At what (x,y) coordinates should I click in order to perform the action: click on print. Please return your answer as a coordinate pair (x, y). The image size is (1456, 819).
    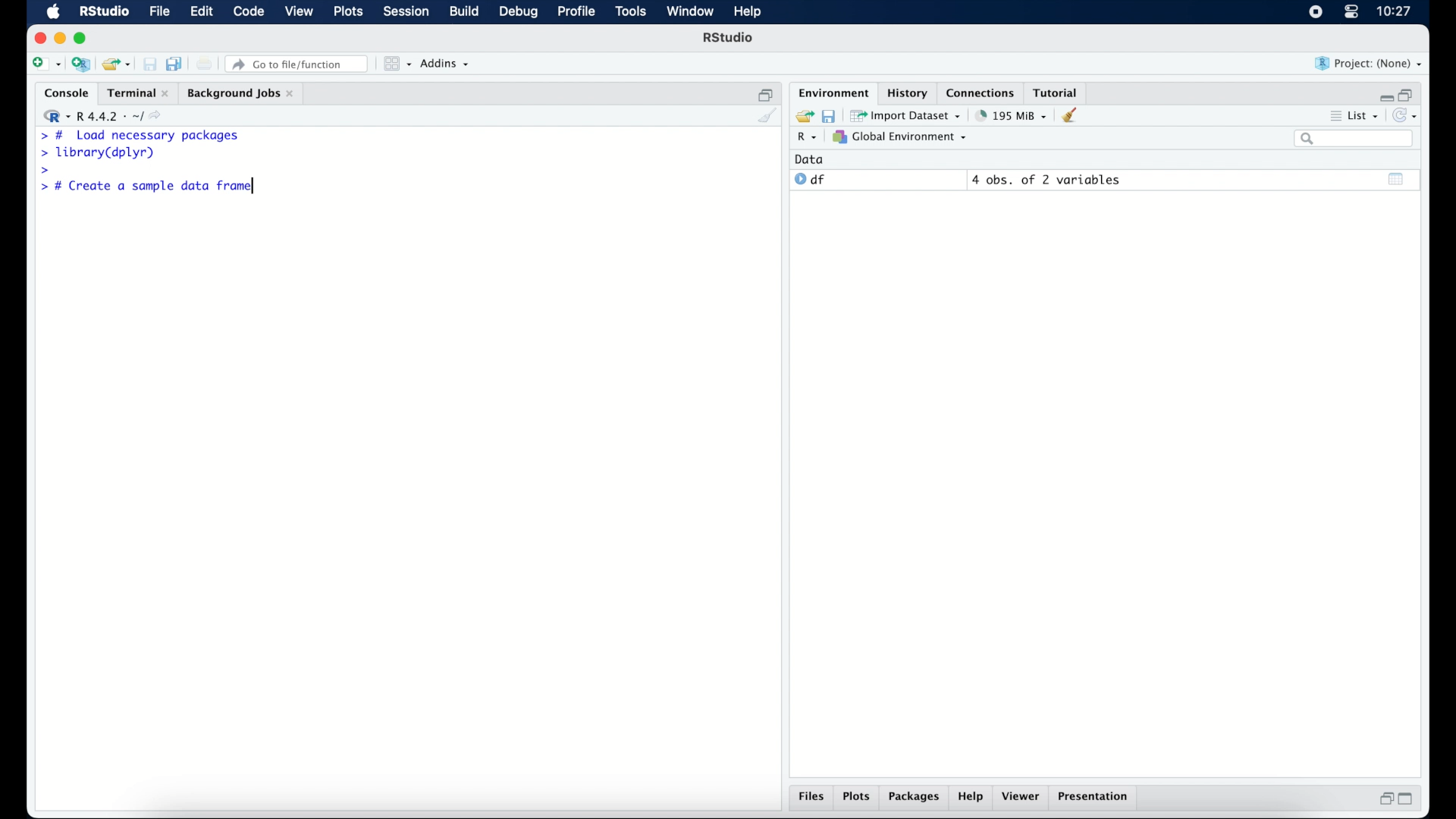
    Looking at the image, I should click on (205, 64).